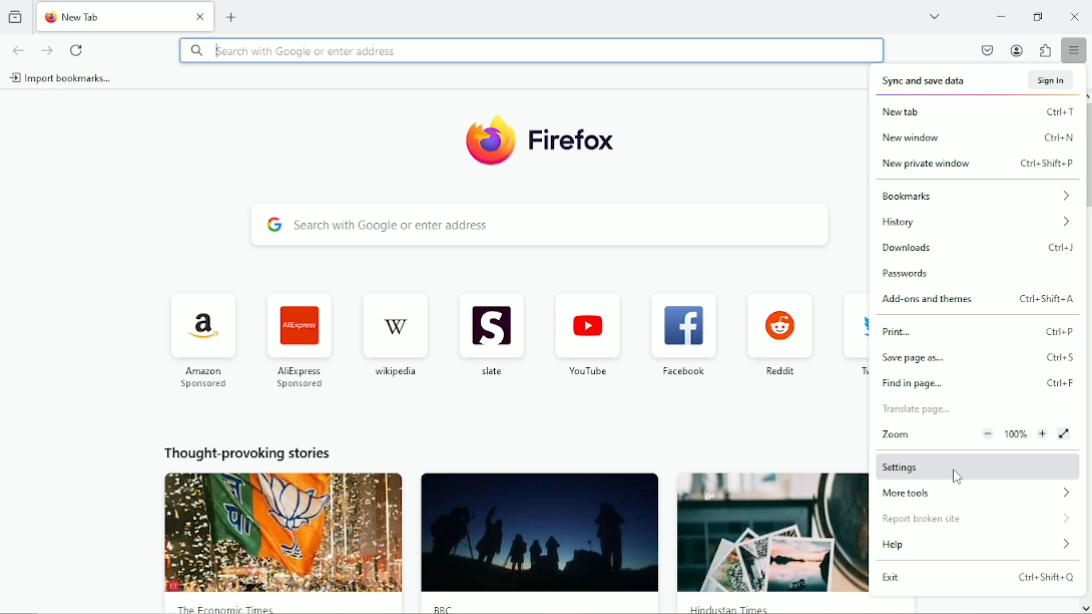  I want to click on View recent browsing, so click(17, 16).